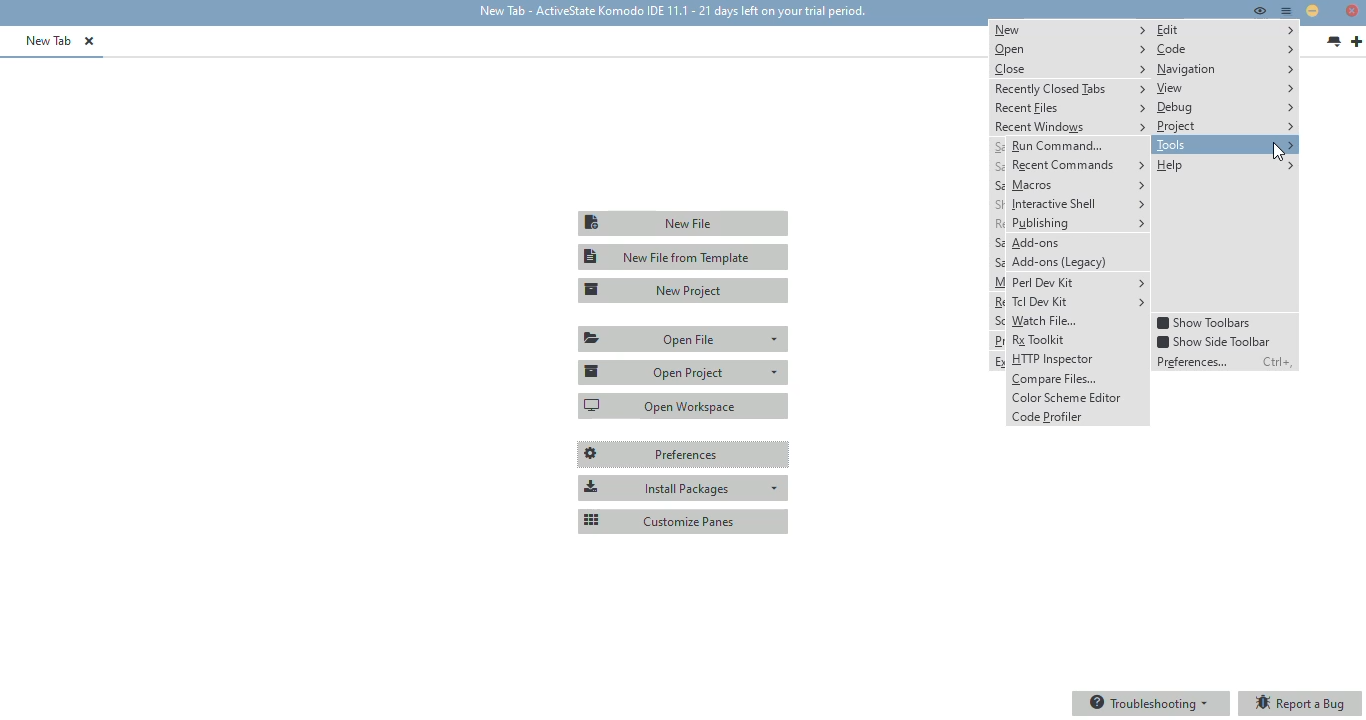  Describe the element at coordinates (1077, 184) in the screenshot. I see `Macros` at that location.